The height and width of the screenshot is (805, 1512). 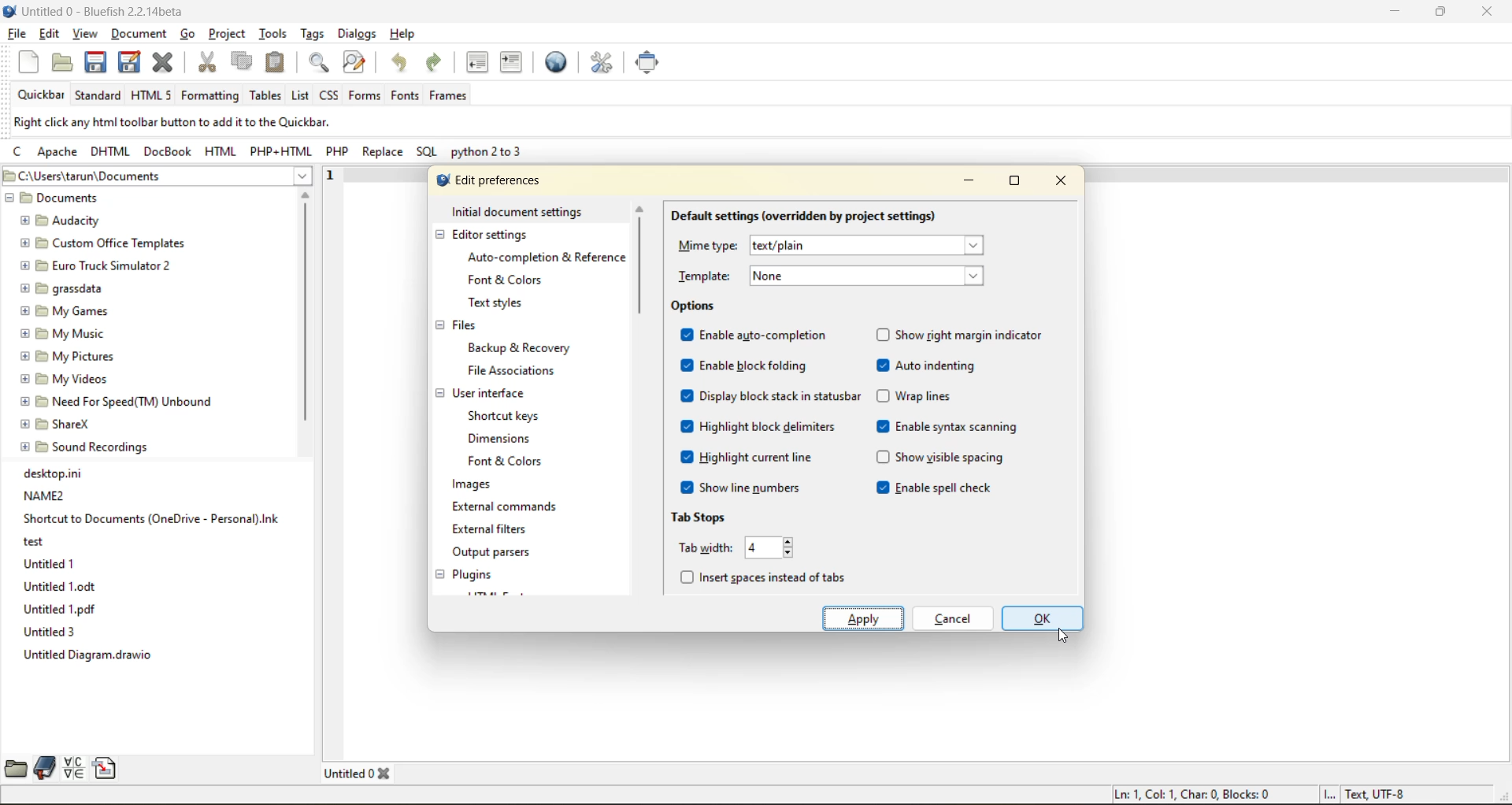 I want to click on initial document settings, so click(x=519, y=211).